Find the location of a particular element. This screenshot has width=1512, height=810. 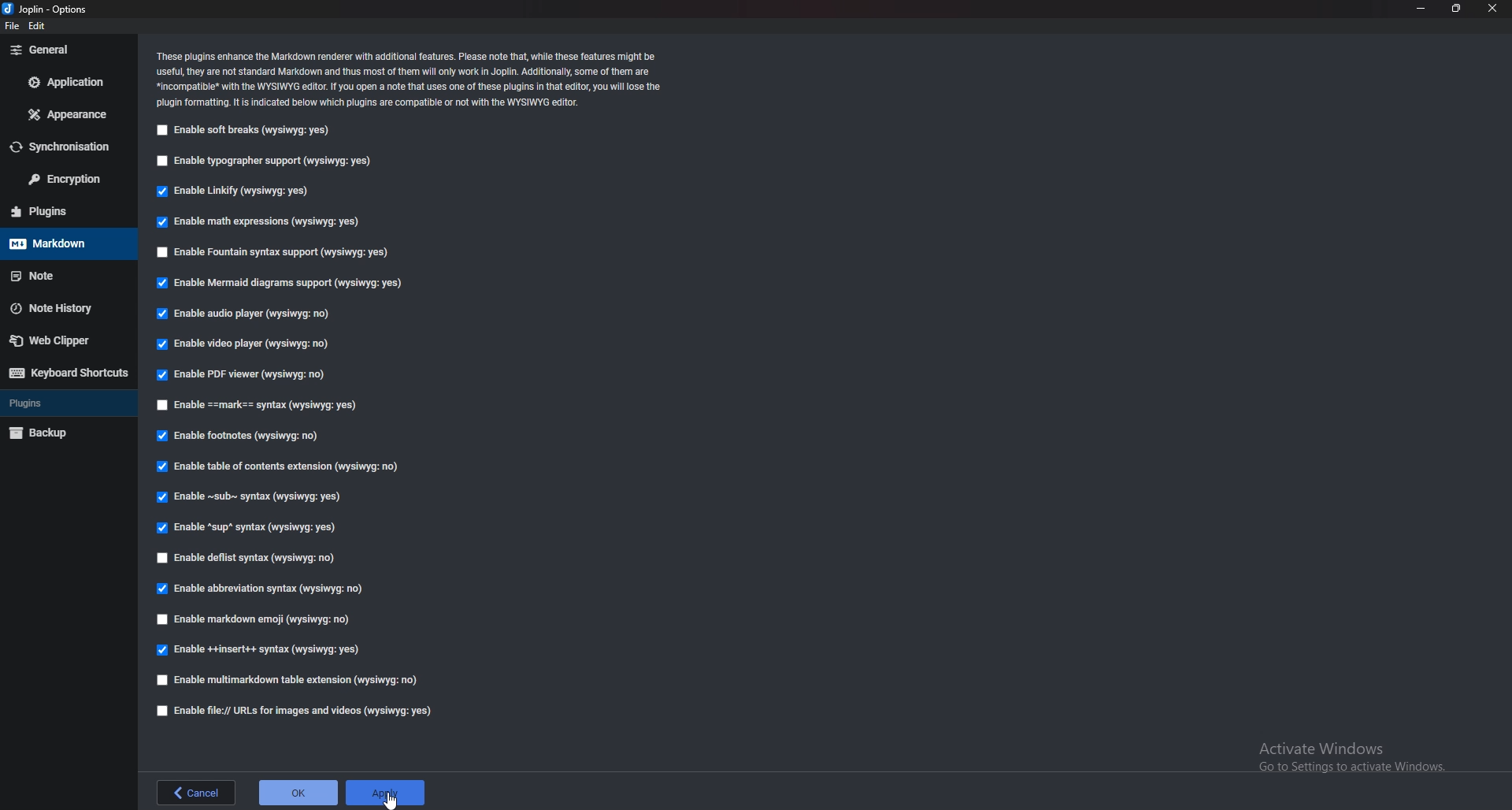

options is located at coordinates (46, 9).